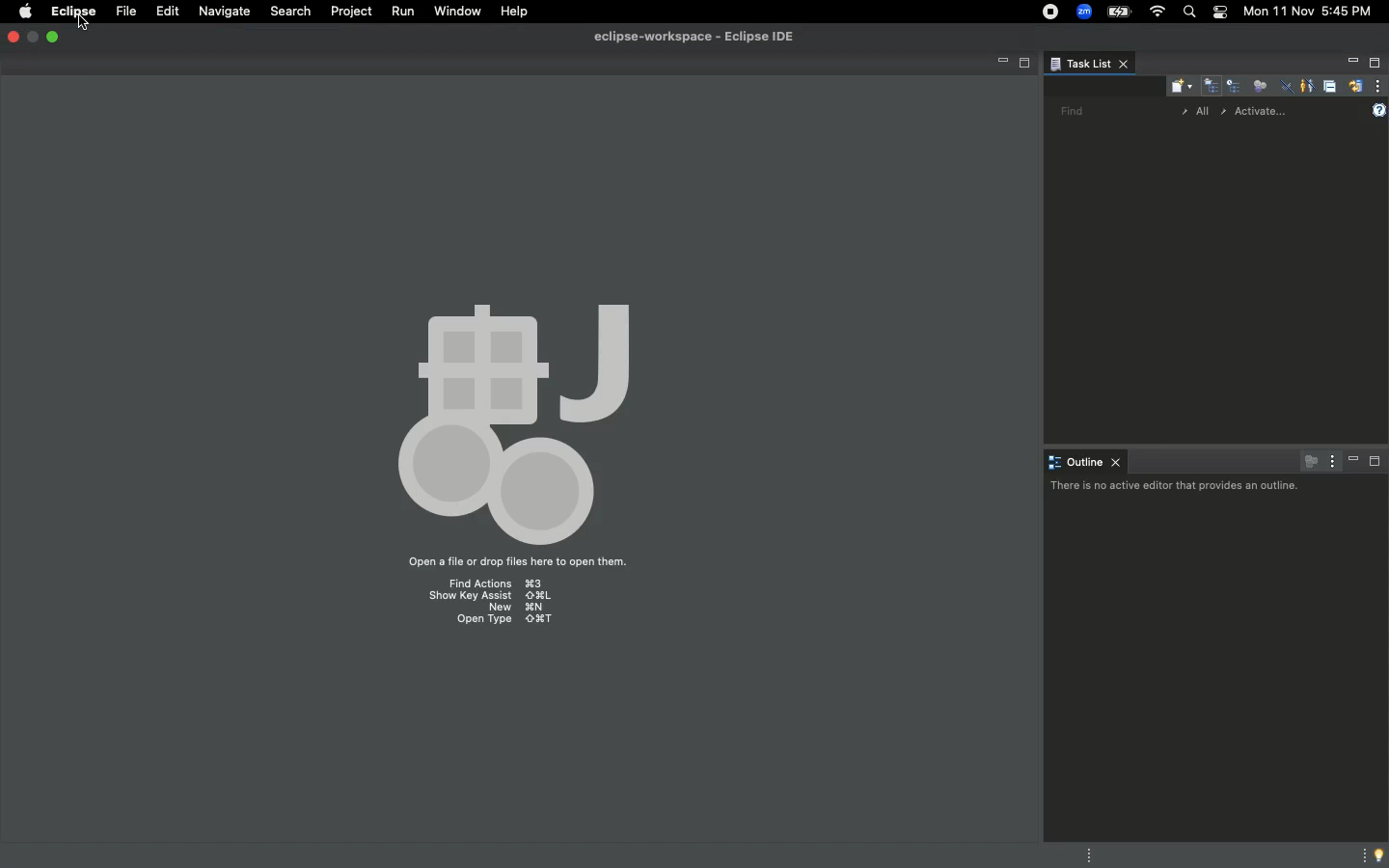  Describe the element at coordinates (1376, 463) in the screenshot. I see `Maximize` at that location.